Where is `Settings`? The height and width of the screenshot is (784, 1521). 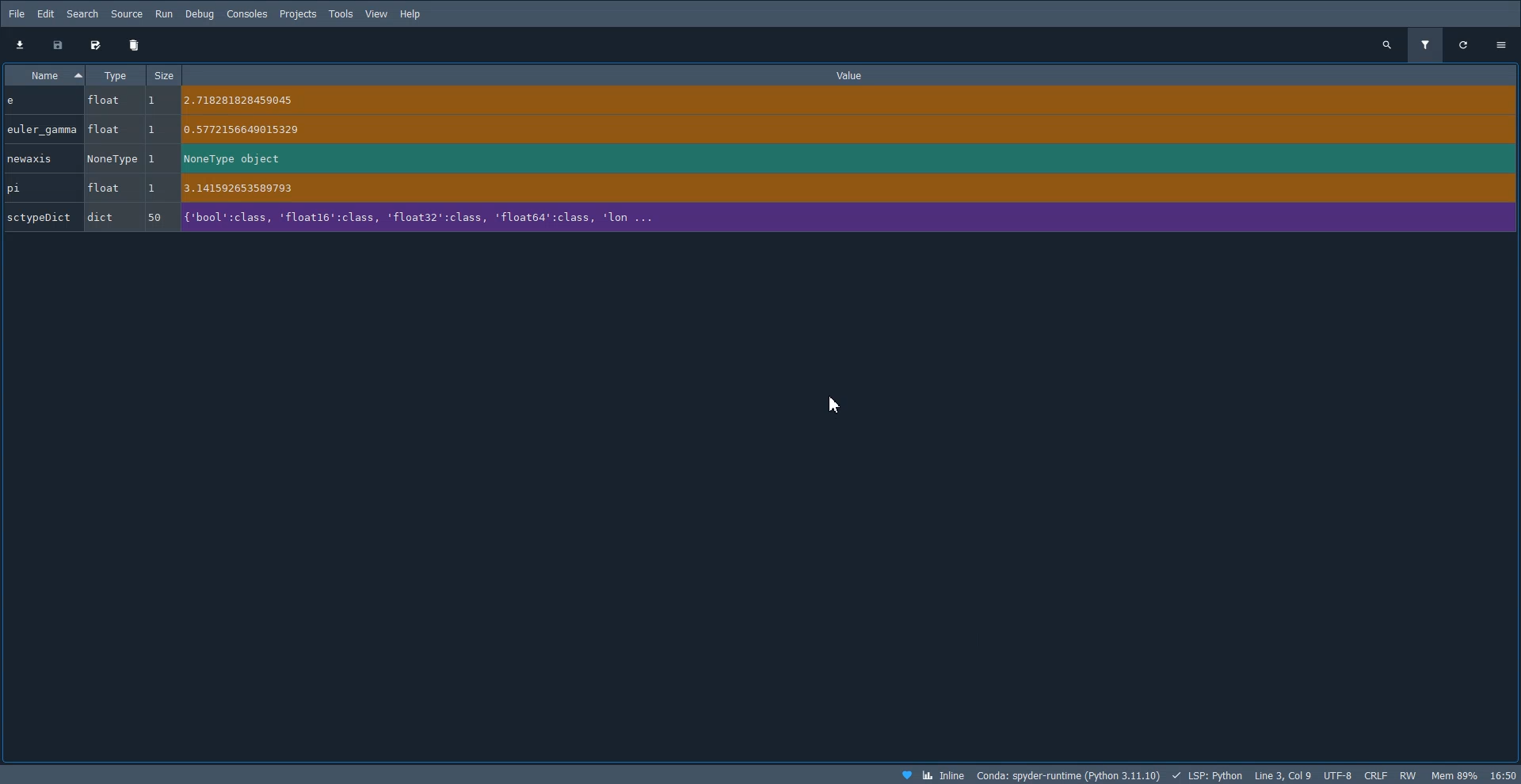
Settings is located at coordinates (1503, 43).